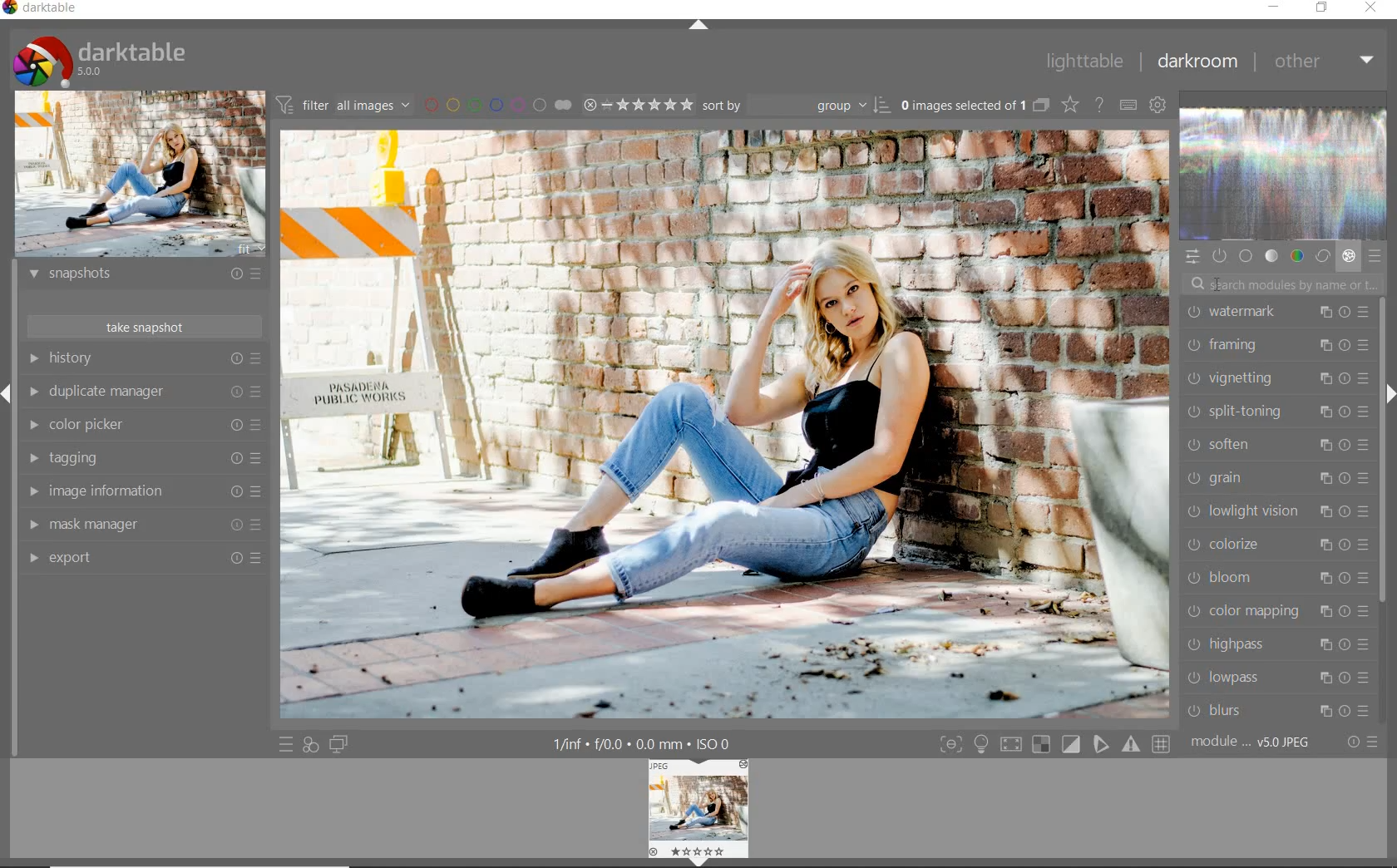 The image size is (1397, 868). I want to click on lowlight vision, so click(1274, 511).